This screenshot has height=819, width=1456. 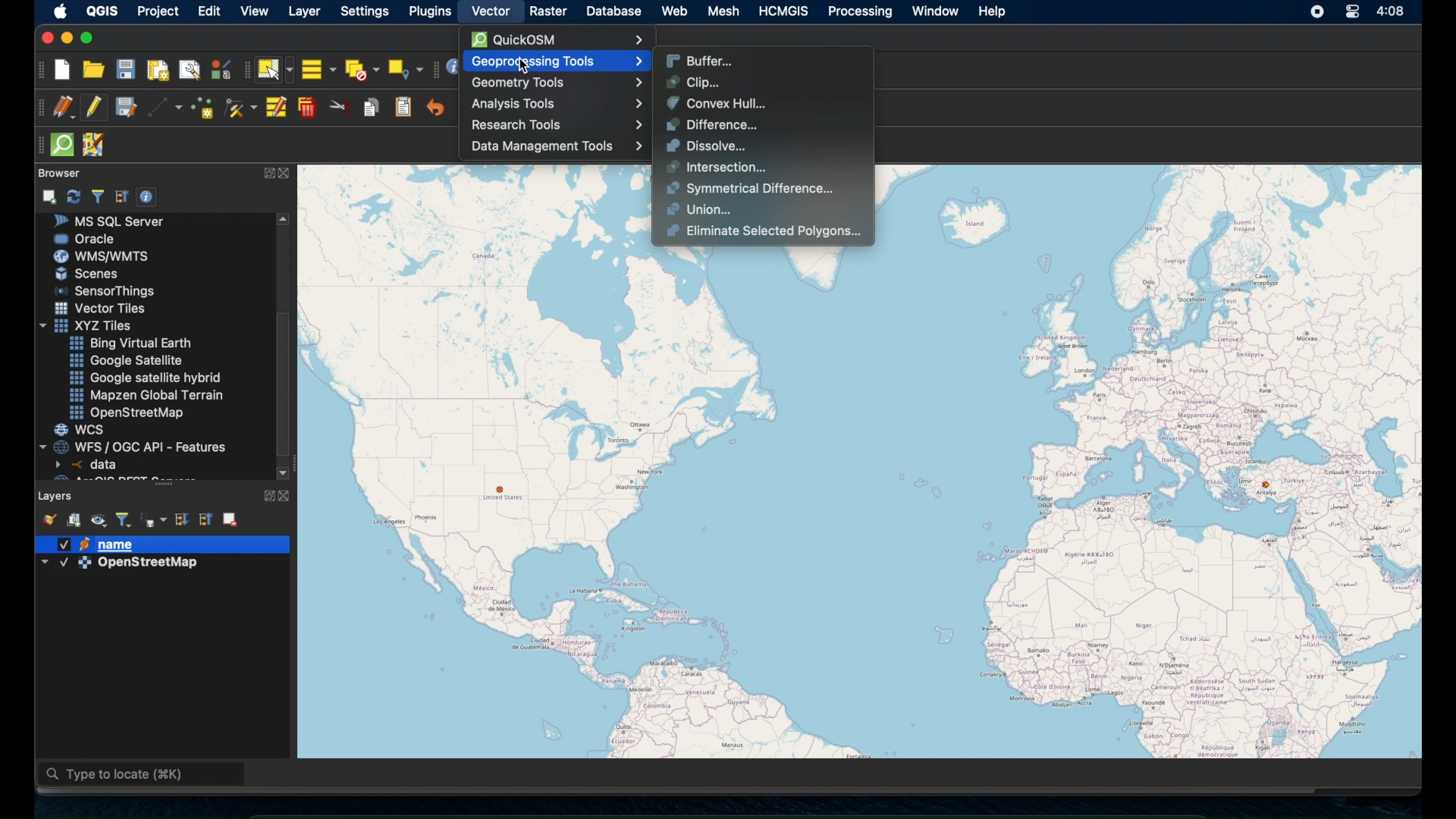 I want to click on name layer, so click(x=102, y=544).